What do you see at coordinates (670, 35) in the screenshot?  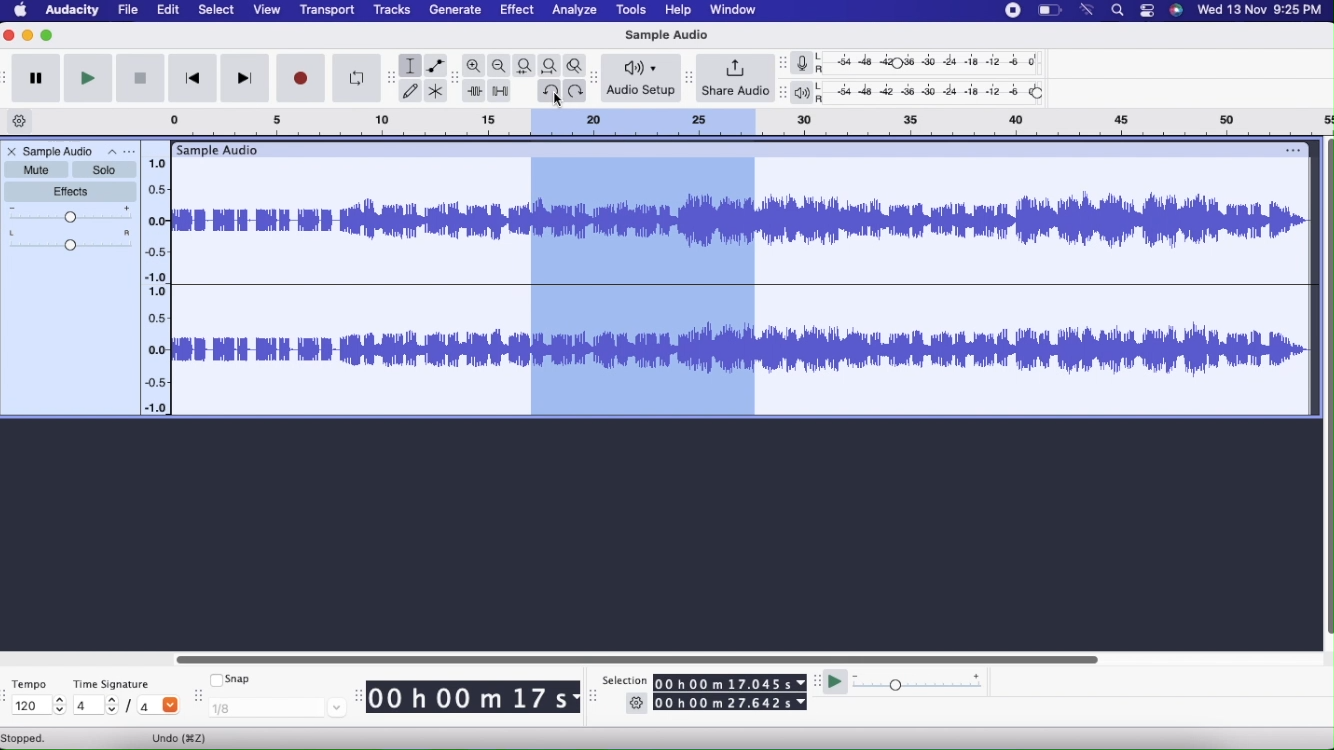 I see `Sample Audio` at bounding box center [670, 35].